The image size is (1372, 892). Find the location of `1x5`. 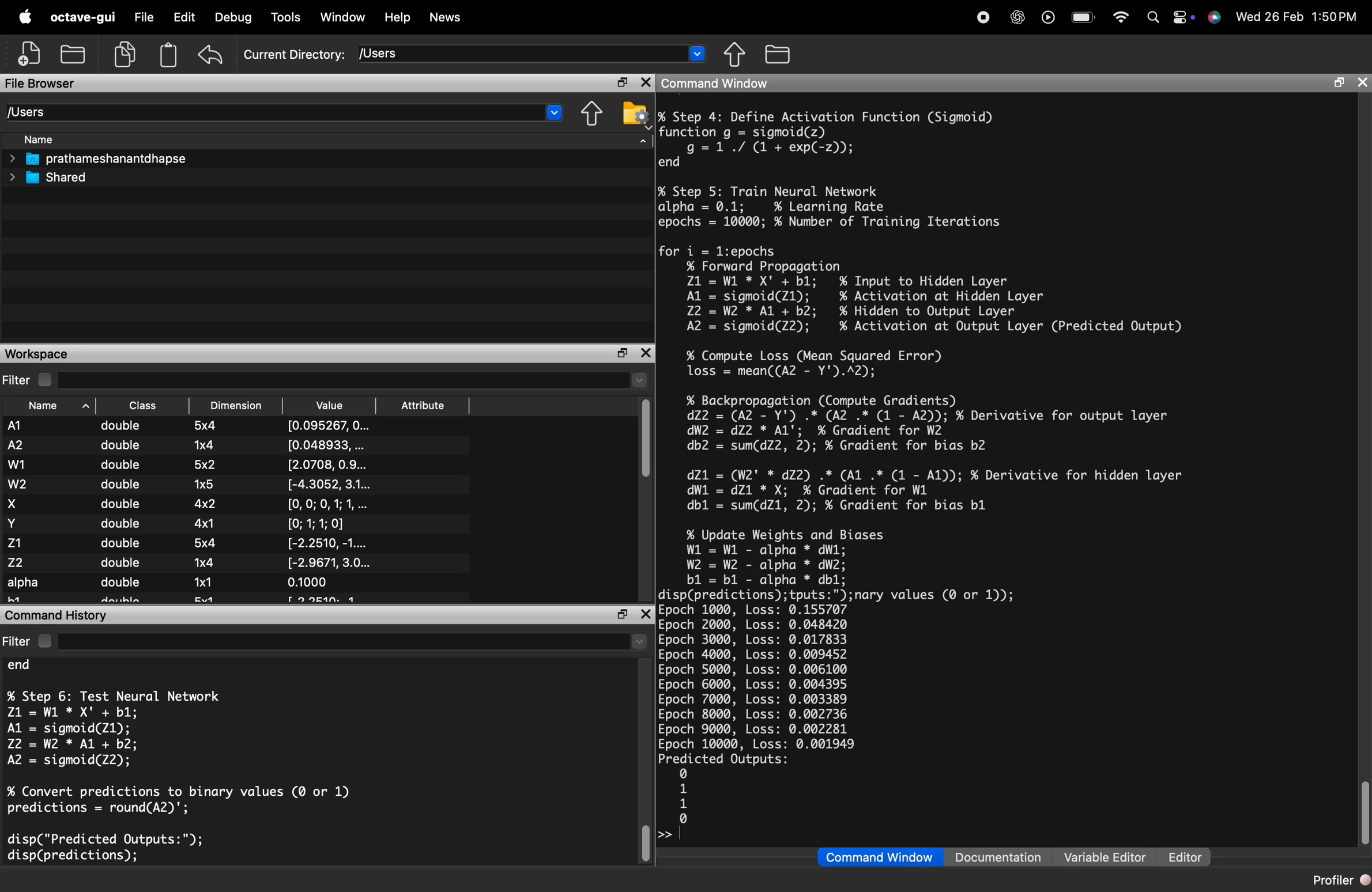

1x5 is located at coordinates (207, 482).